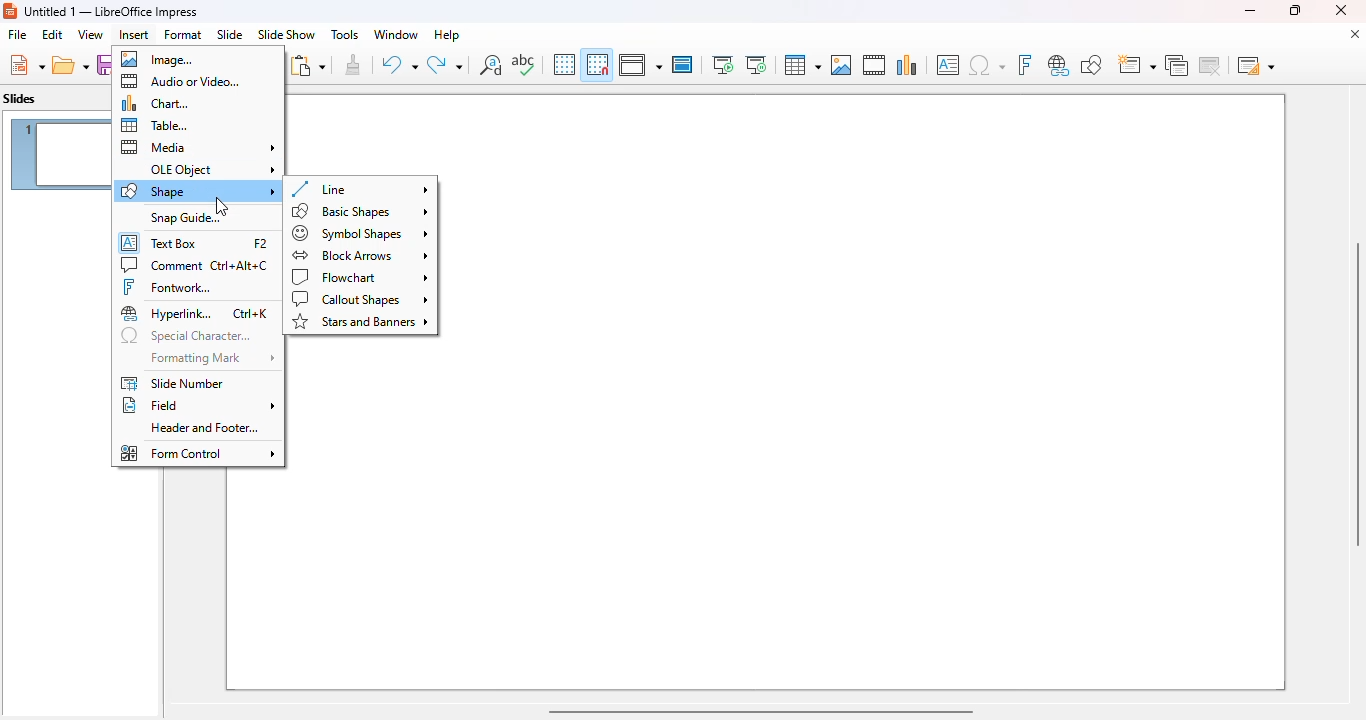  What do you see at coordinates (186, 337) in the screenshot?
I see `special characters` at bounding box center [186, 337].